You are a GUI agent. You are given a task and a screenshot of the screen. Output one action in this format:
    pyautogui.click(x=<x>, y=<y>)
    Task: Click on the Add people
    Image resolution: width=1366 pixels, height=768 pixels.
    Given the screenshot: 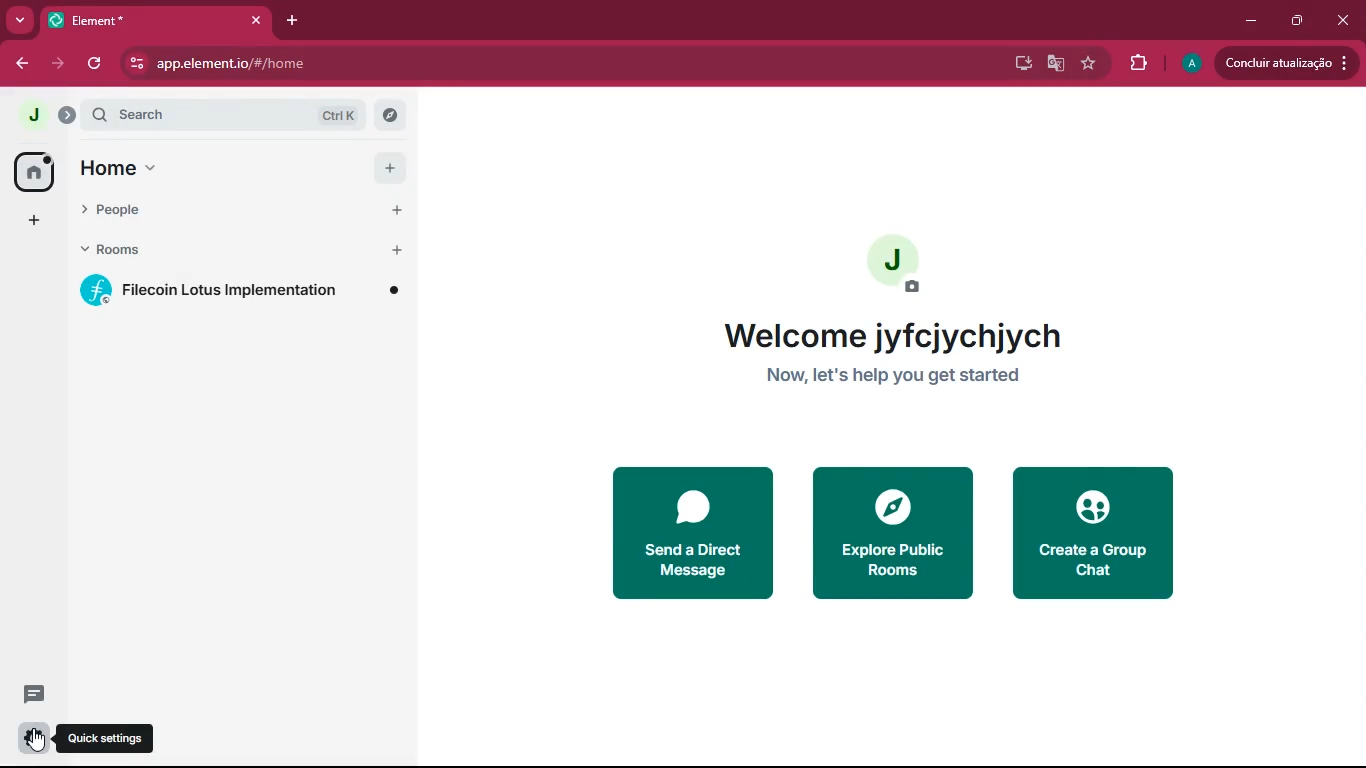 What is the action you would take?
    pyautogui.click(x=396, y=213)
    